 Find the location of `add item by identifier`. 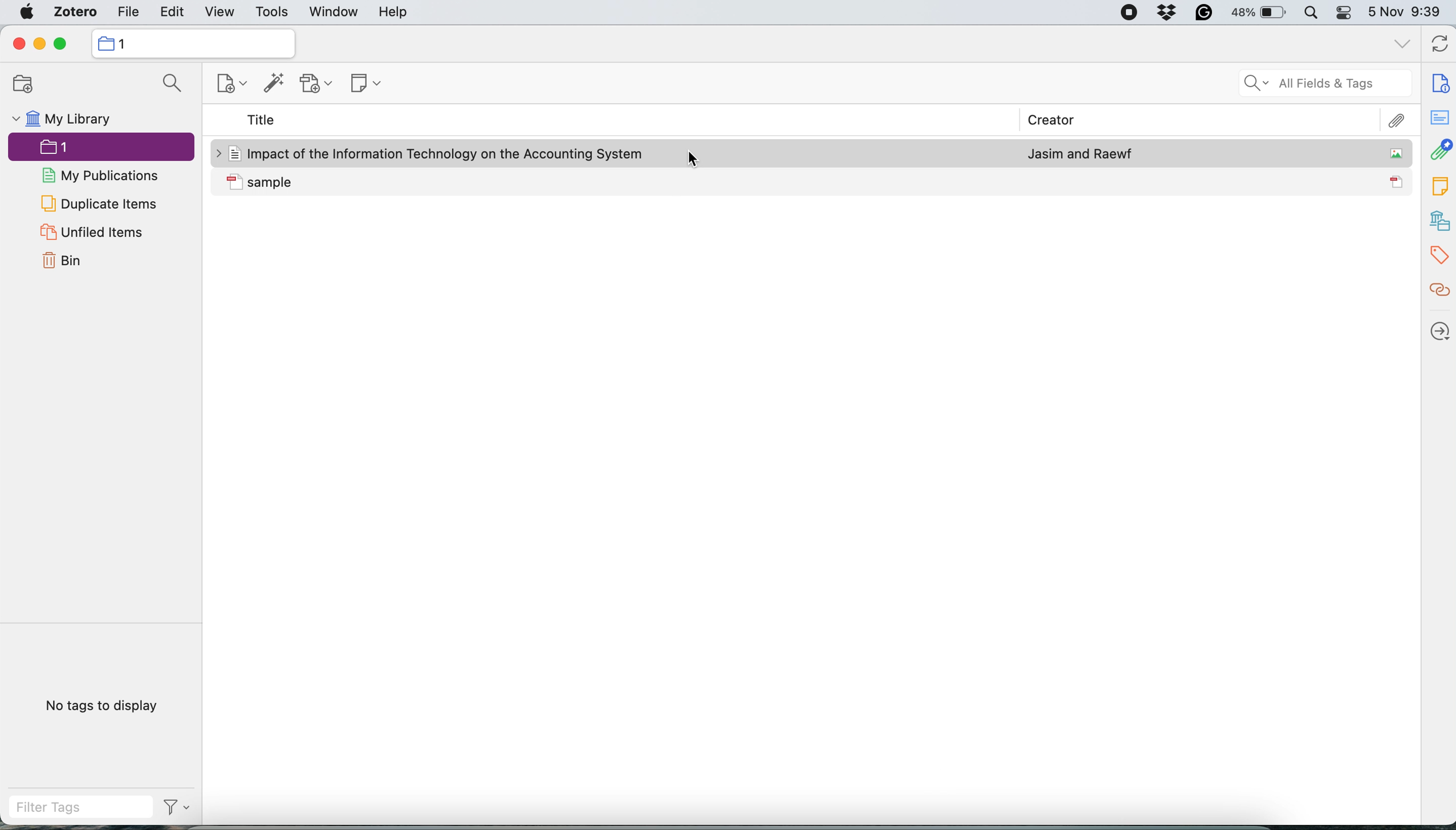

add item by identifier is located at coordinates (277, 83).